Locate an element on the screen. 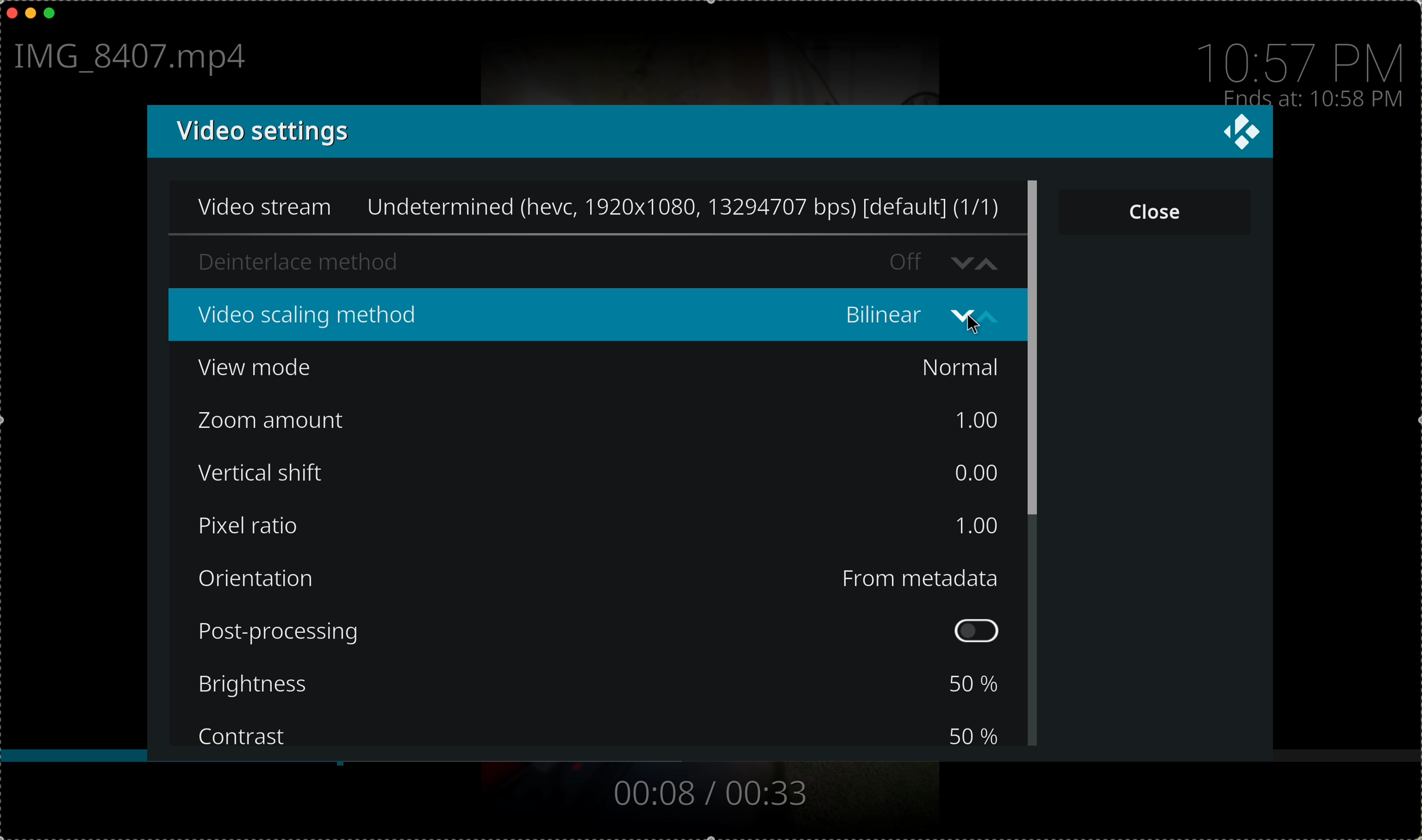 The image size is (1422, 840). file name is located at coordinates (136, 59).